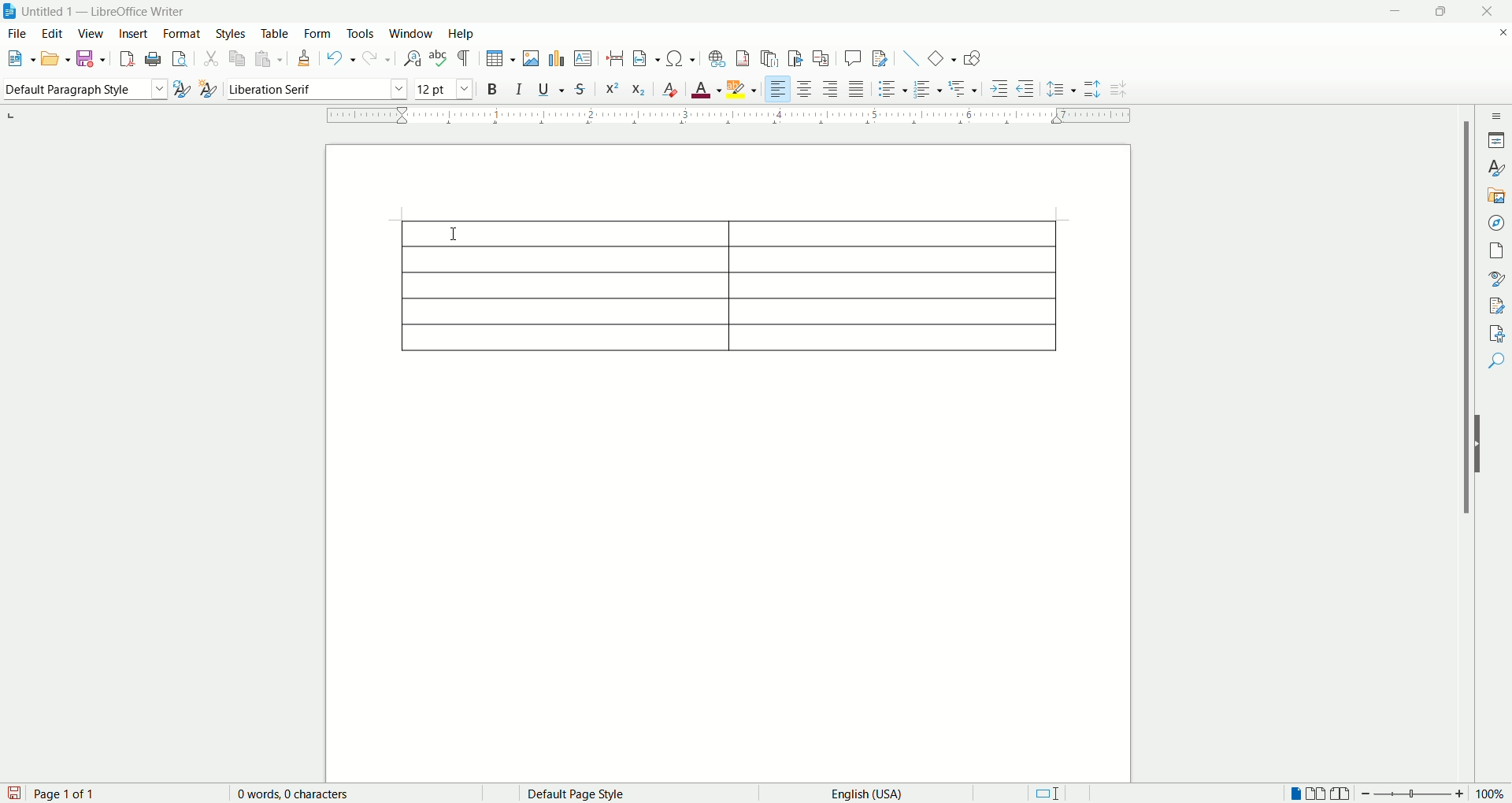  I want to click on form, so click(319, 35).